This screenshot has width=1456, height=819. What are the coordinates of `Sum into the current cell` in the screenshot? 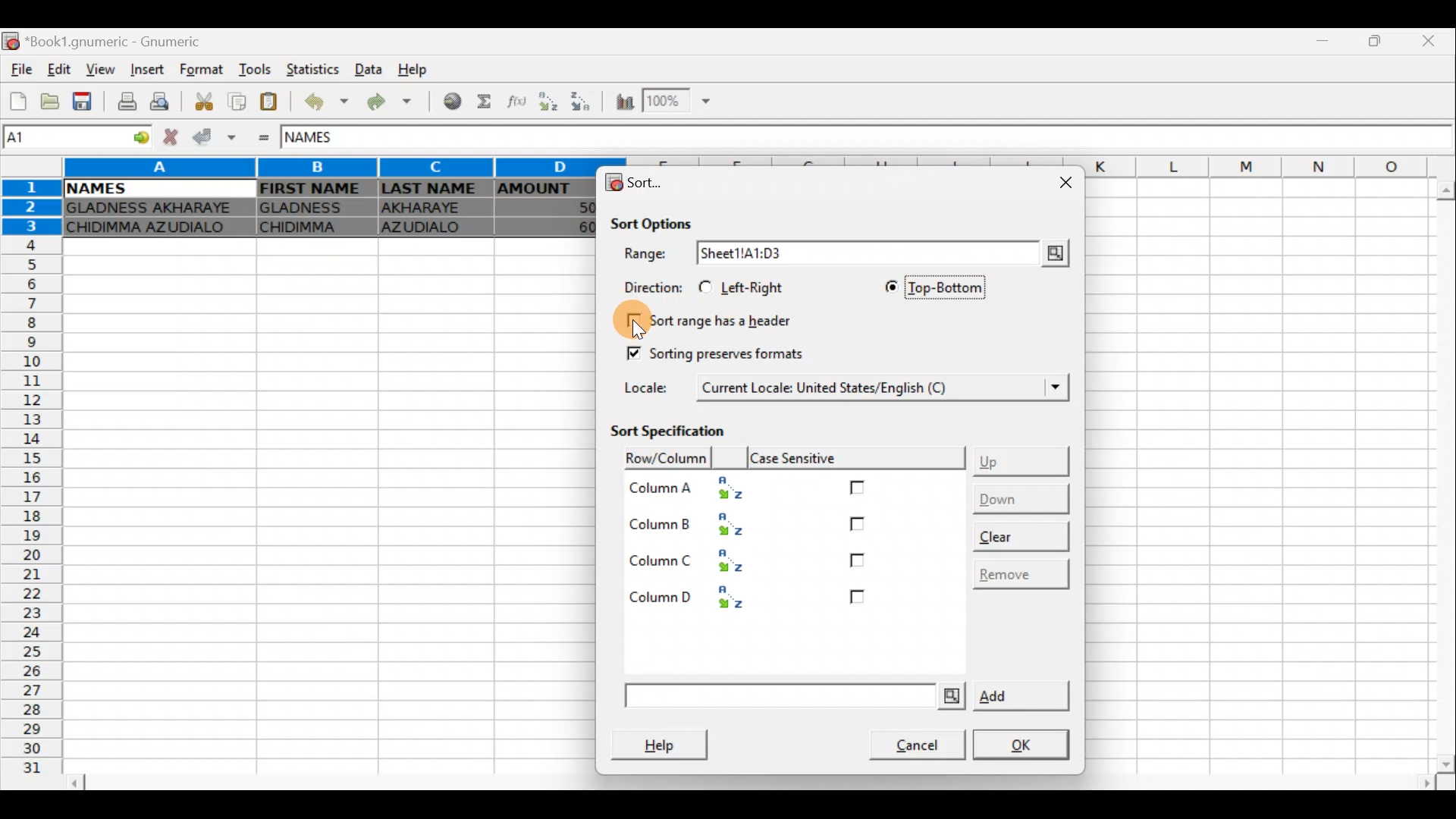 It's located at (486, 102).